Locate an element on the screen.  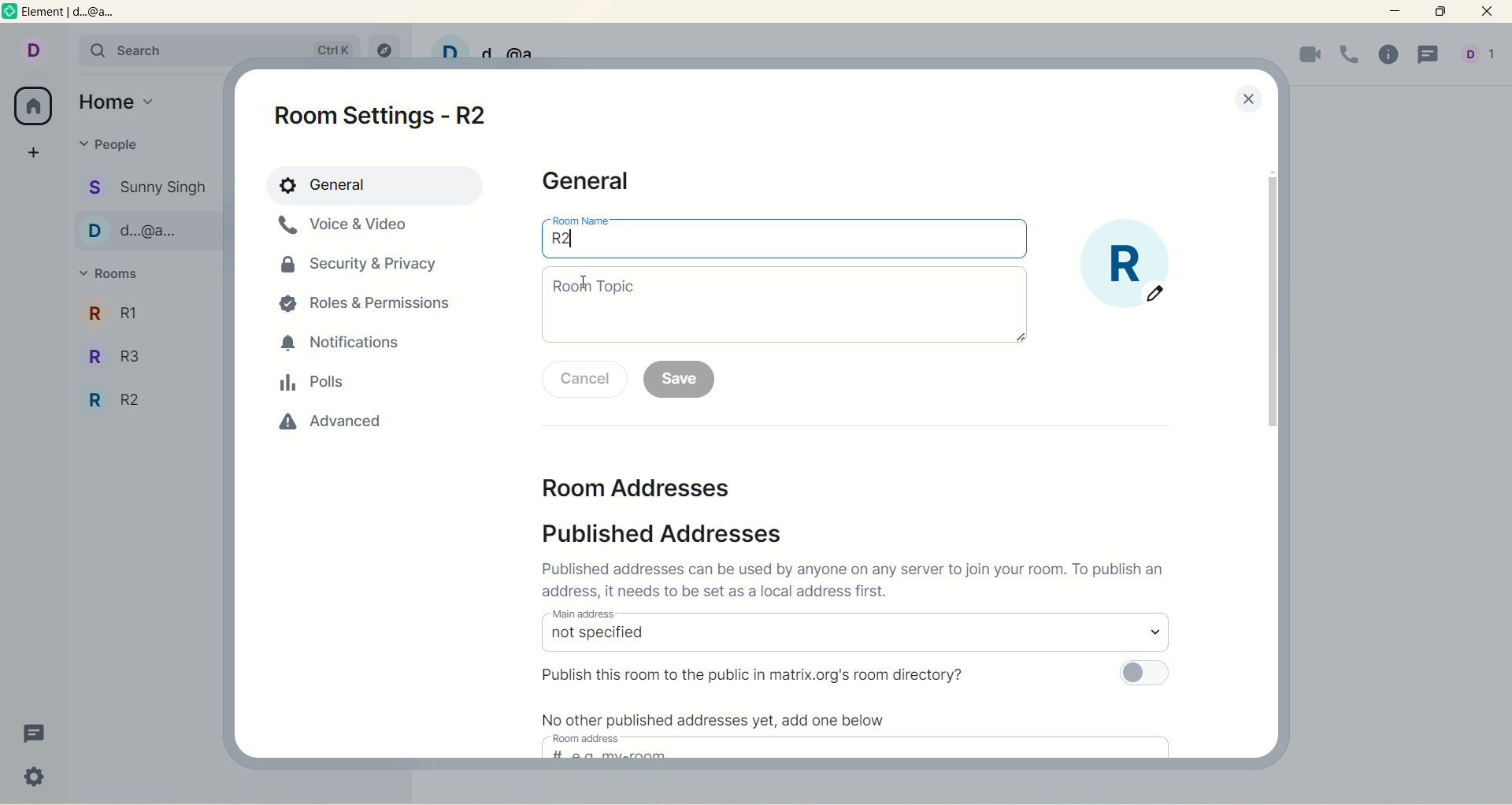
logo is located at coordinates (10, 14).